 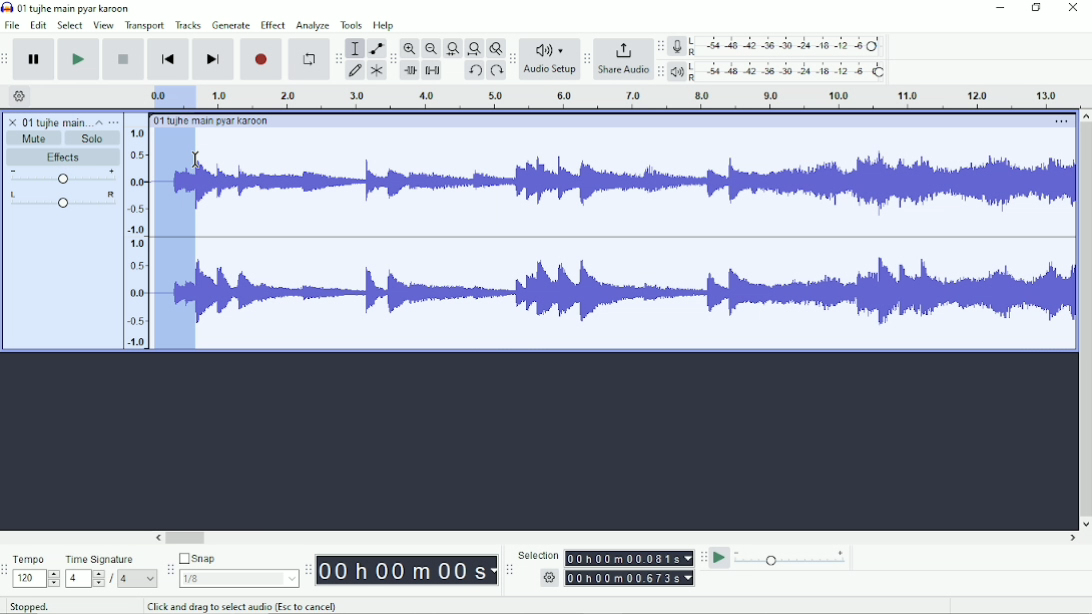 I want to click on Audacity play-at-speed toolbar, so click(x=702, y=557).